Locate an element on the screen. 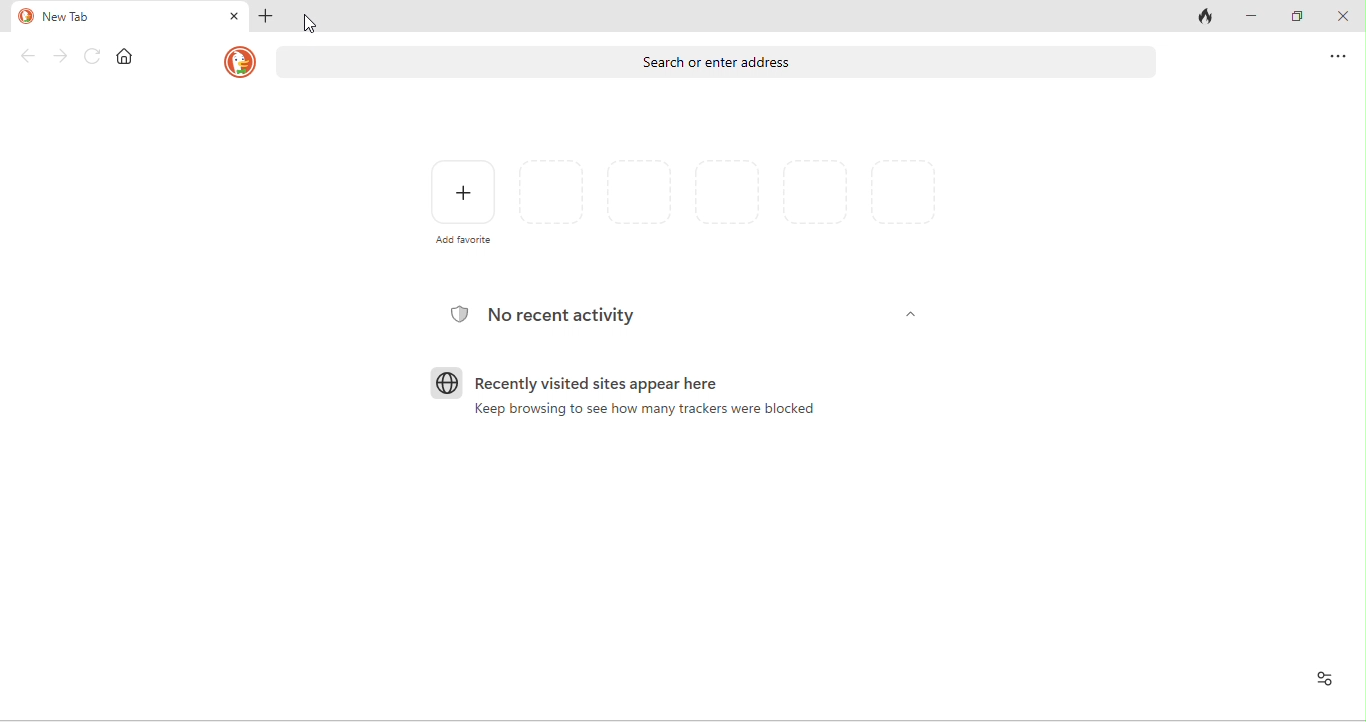 Image resolution: width=1366 pixels, height=722 pixels. dropdown is located at coordinates (905, 315).